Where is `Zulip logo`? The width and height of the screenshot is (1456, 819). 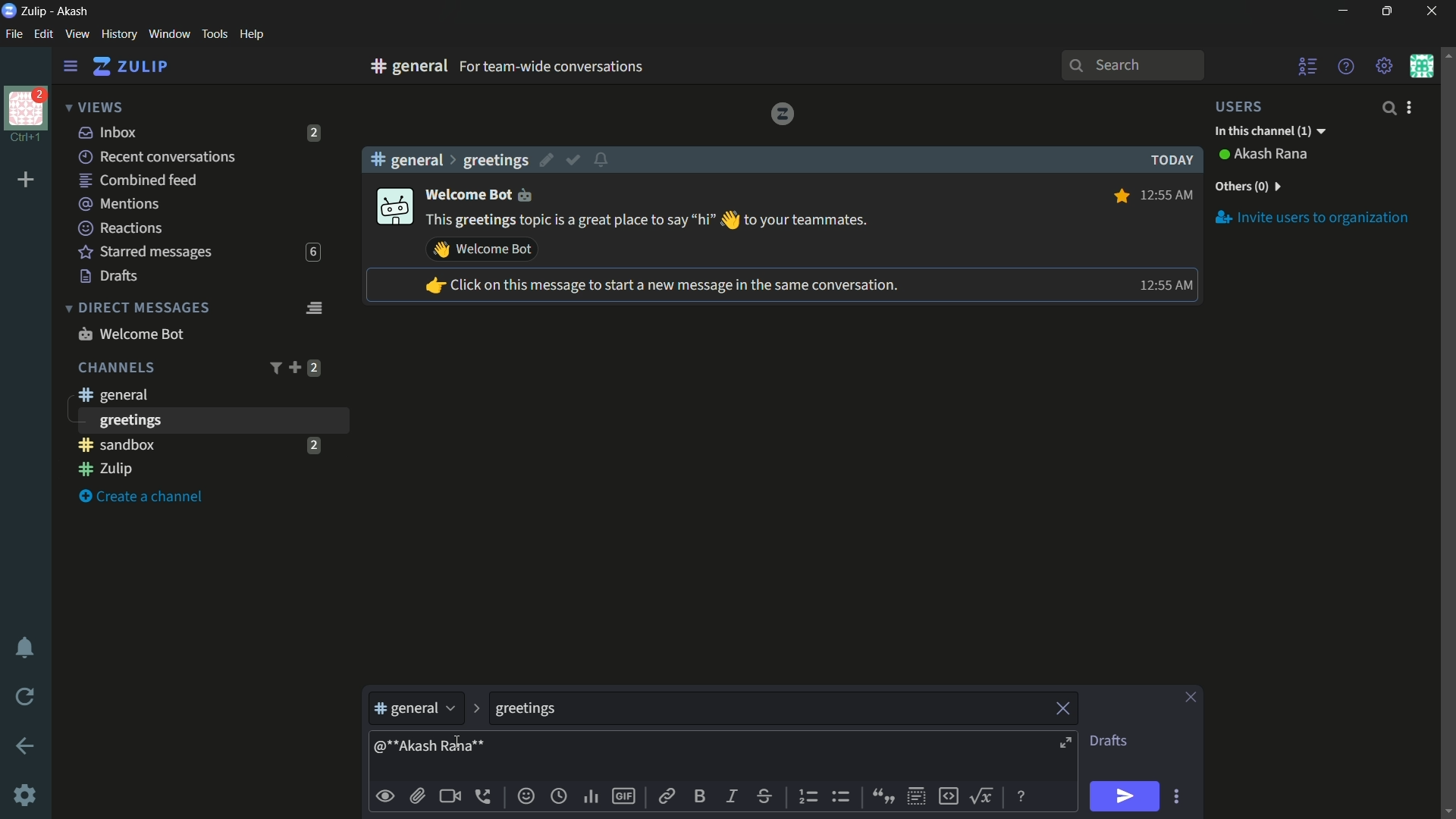 Zulip logo is located at coordinates (782, 113).